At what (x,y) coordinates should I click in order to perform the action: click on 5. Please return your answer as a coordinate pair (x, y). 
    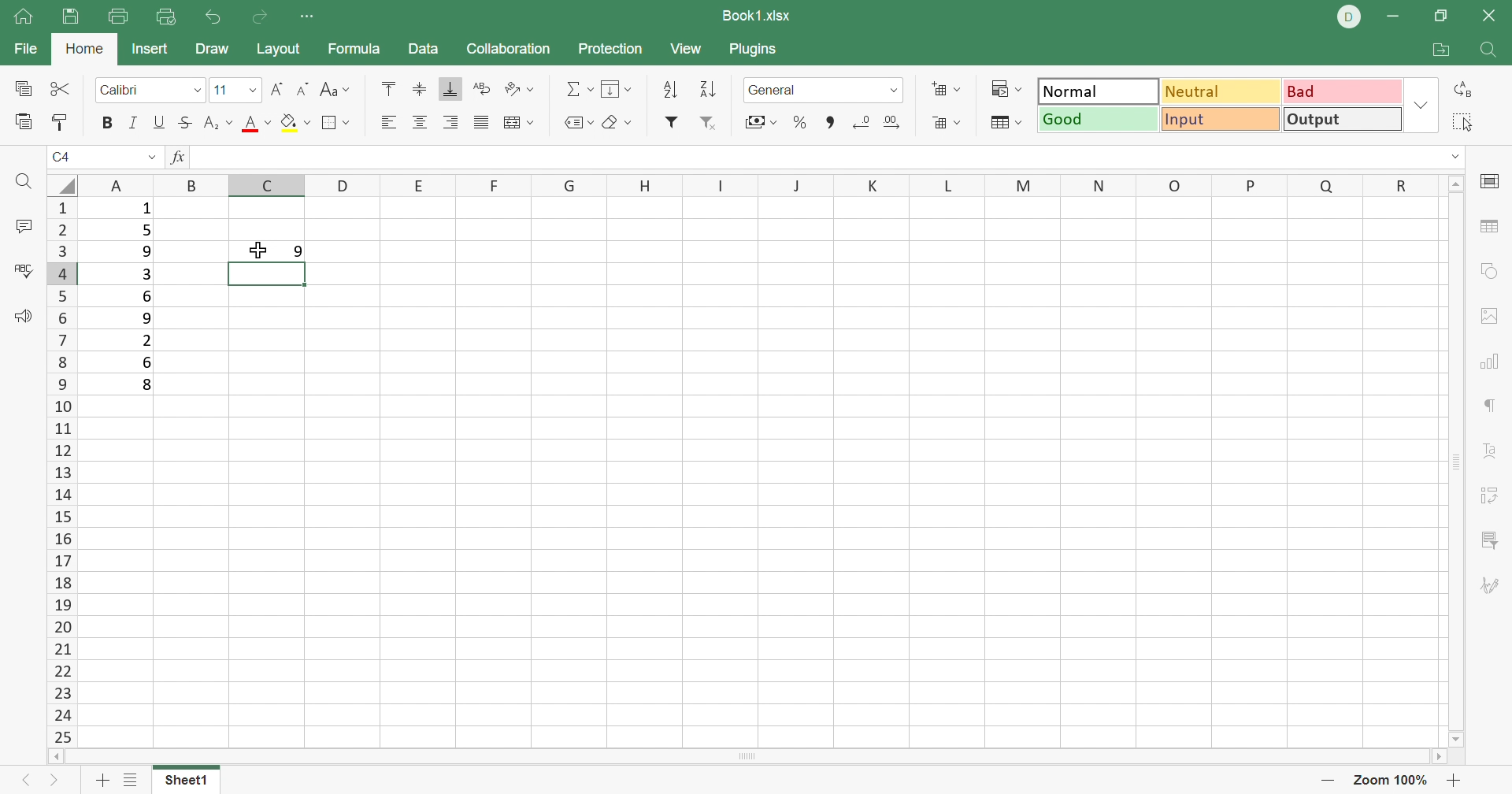
    Looking at the image, I should click on (145, 233).